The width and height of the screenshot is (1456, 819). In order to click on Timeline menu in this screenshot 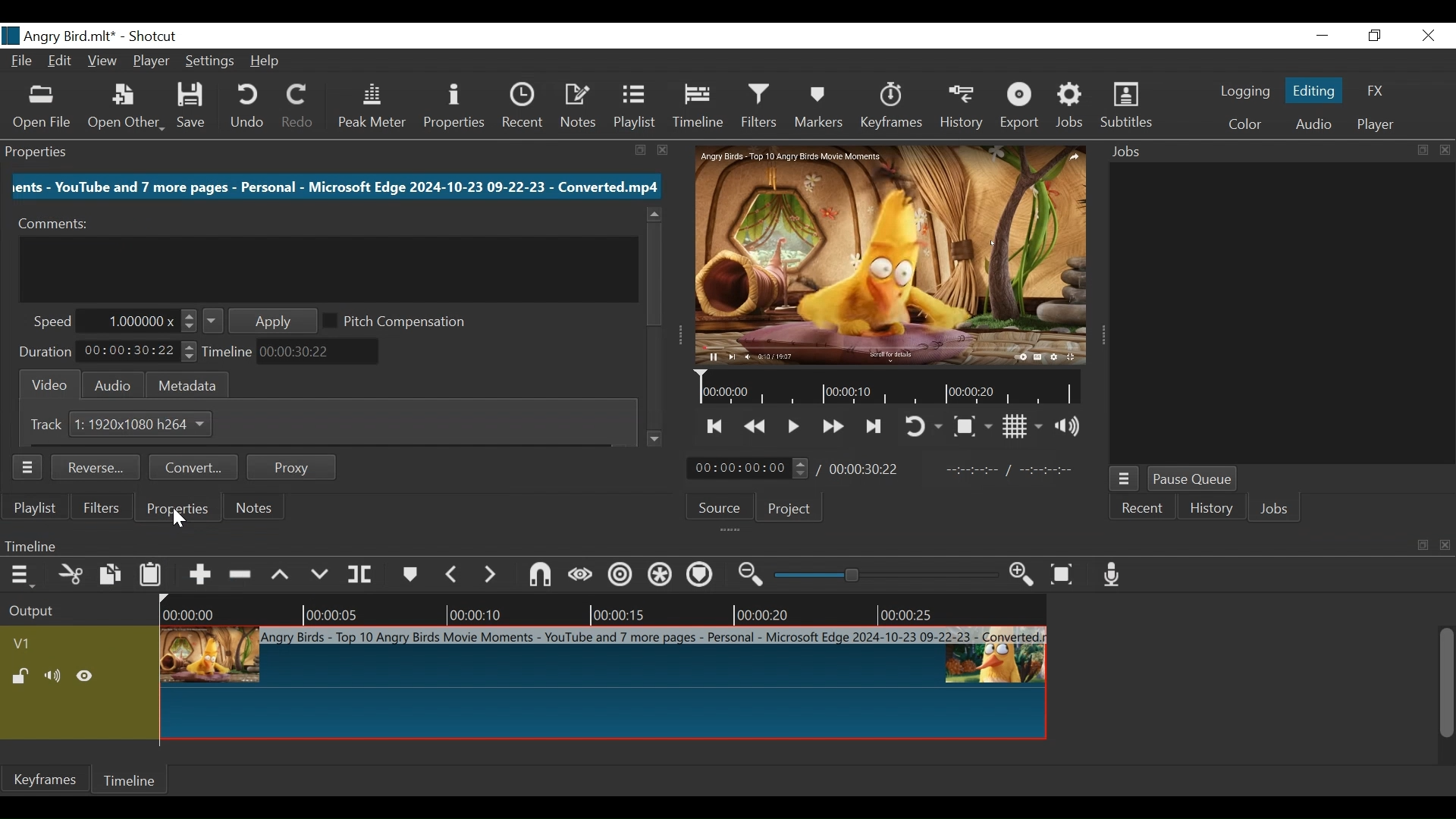, I will do `click(21, 577)`.